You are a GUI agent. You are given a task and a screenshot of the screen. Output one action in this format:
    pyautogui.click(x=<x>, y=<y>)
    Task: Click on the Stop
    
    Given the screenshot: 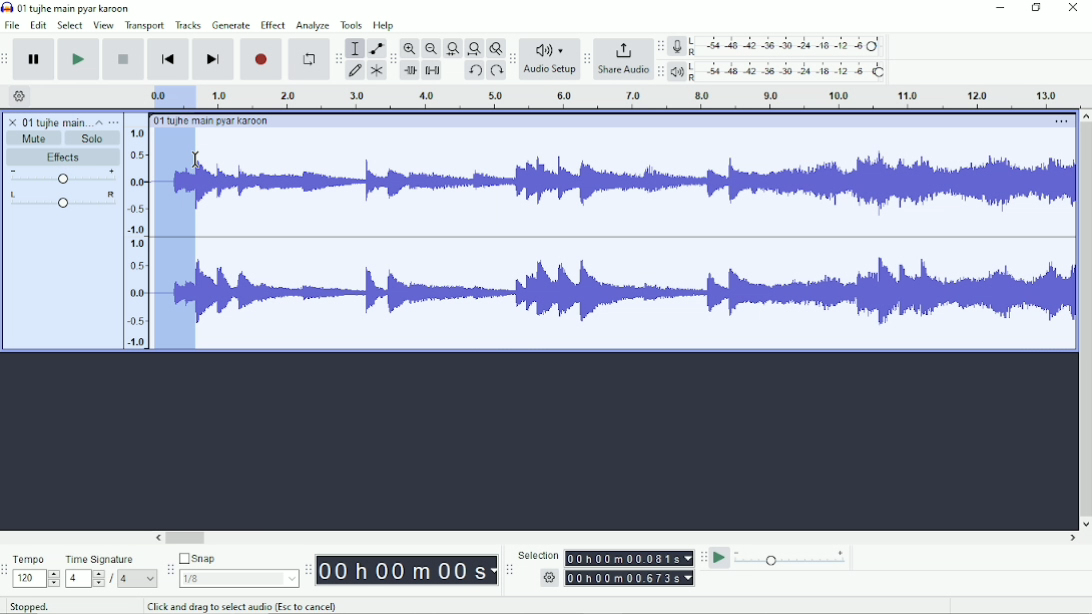 What is the action you would take?
    pyautogui.click(x=125, y=58)
    